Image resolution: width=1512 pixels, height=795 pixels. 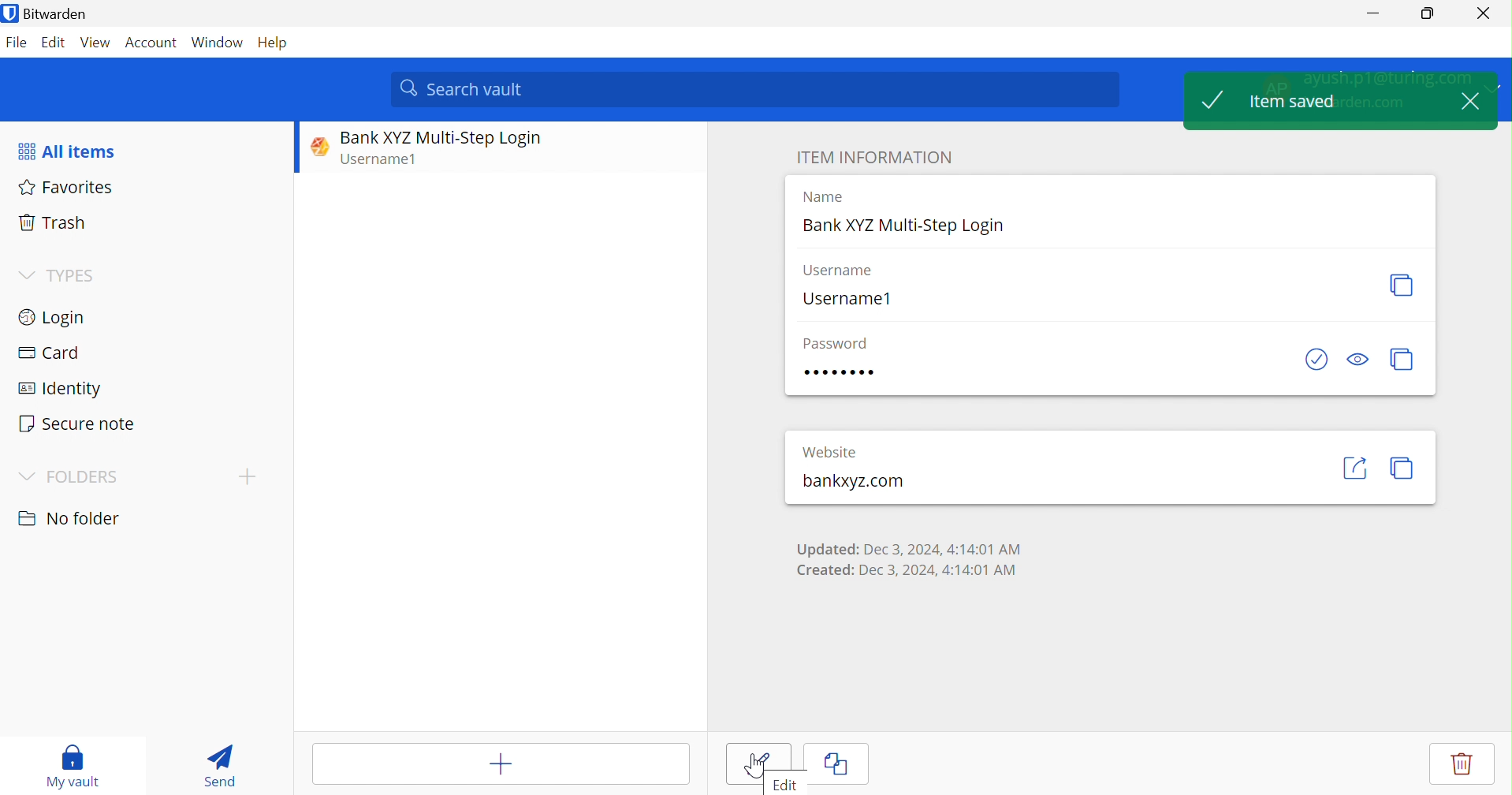 I want to click on Trash, so click(x=51, y=220).